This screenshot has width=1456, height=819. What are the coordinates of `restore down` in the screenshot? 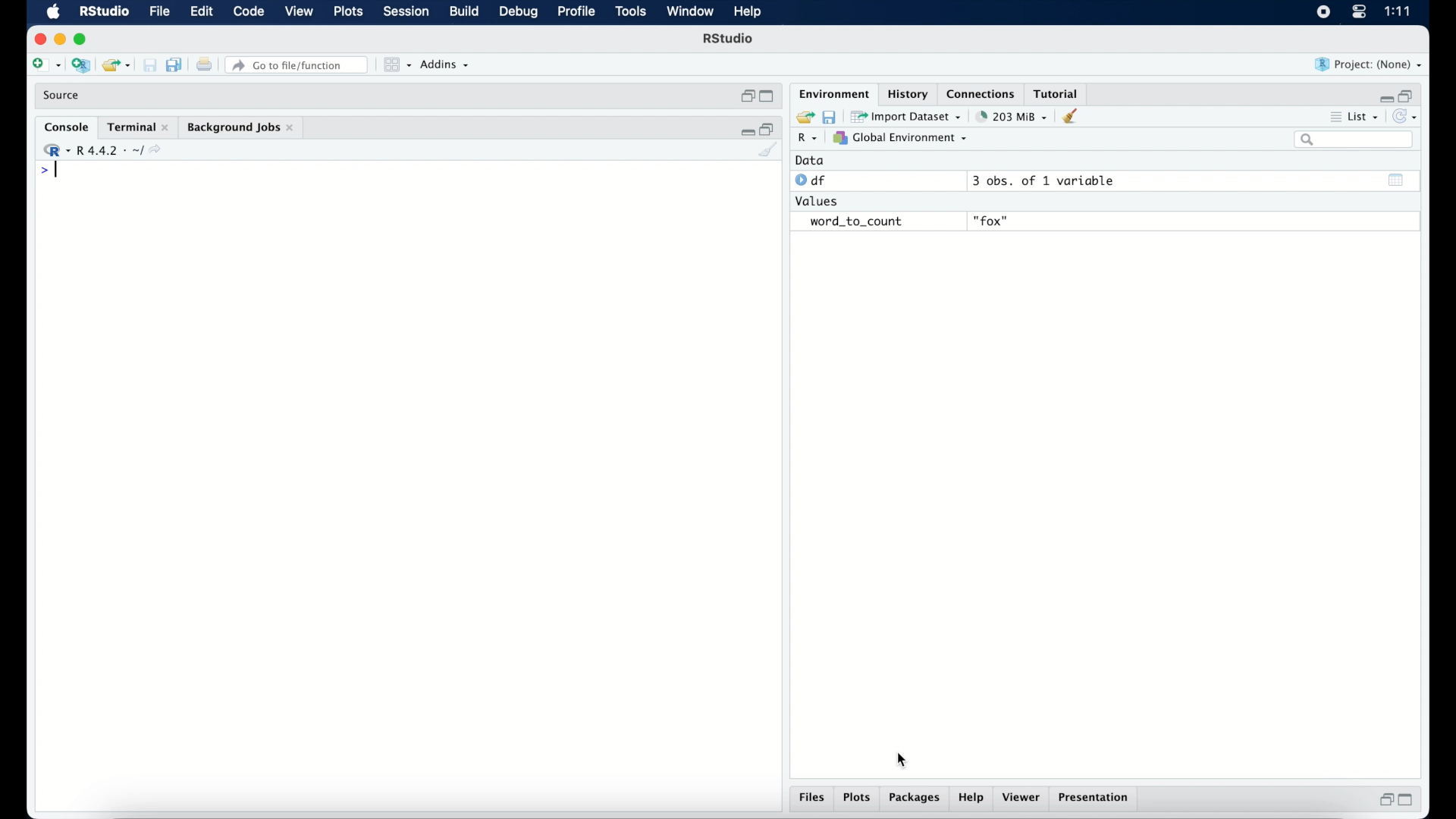 It's located at (1407, 95).